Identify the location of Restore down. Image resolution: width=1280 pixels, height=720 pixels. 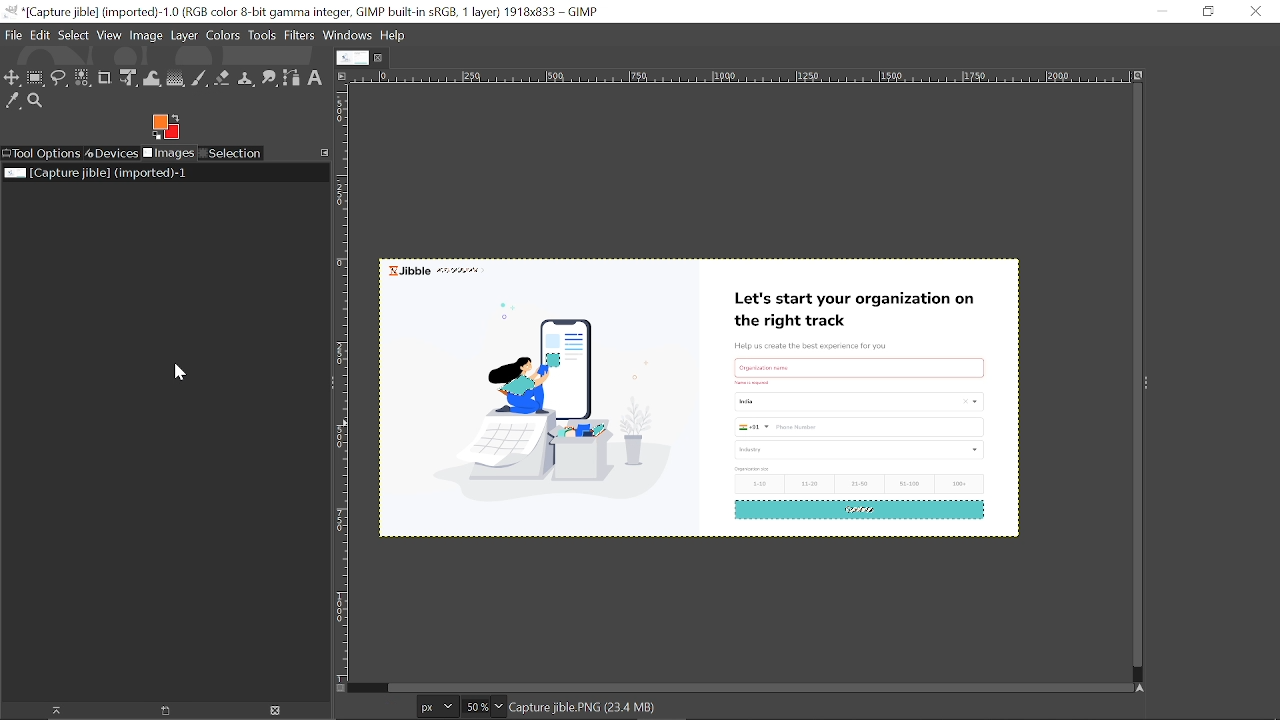
(1208, 12).